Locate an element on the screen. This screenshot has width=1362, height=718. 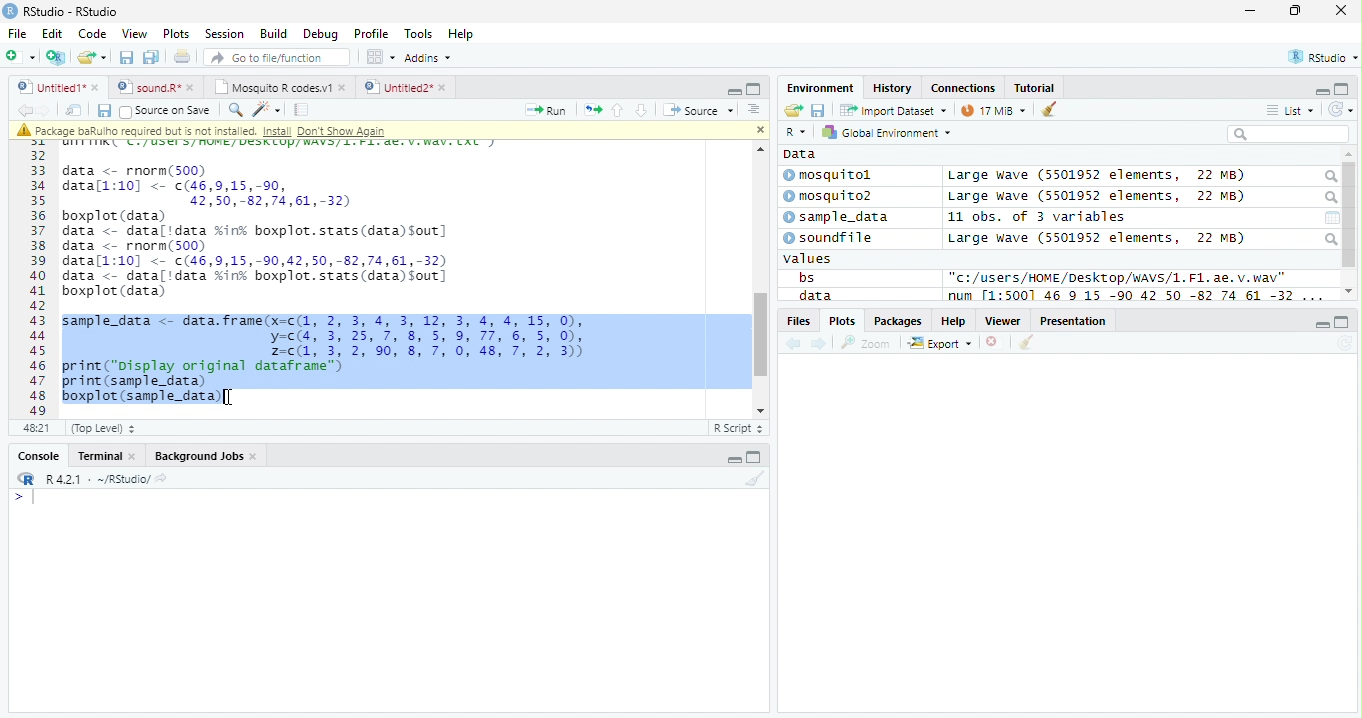
Go forward is located at coordinates (44, 110).